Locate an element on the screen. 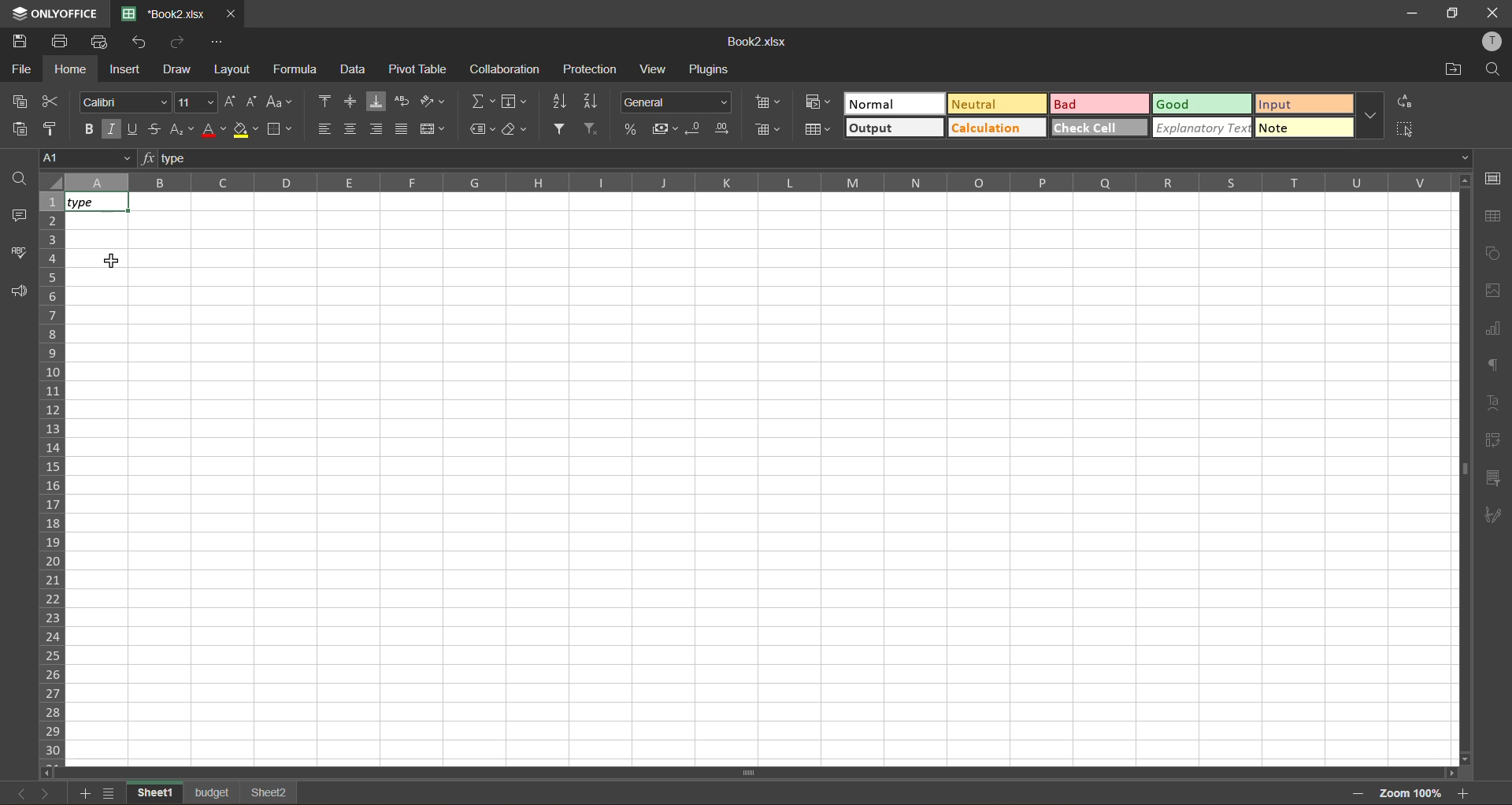  close is located at coordinates (1493, 12).